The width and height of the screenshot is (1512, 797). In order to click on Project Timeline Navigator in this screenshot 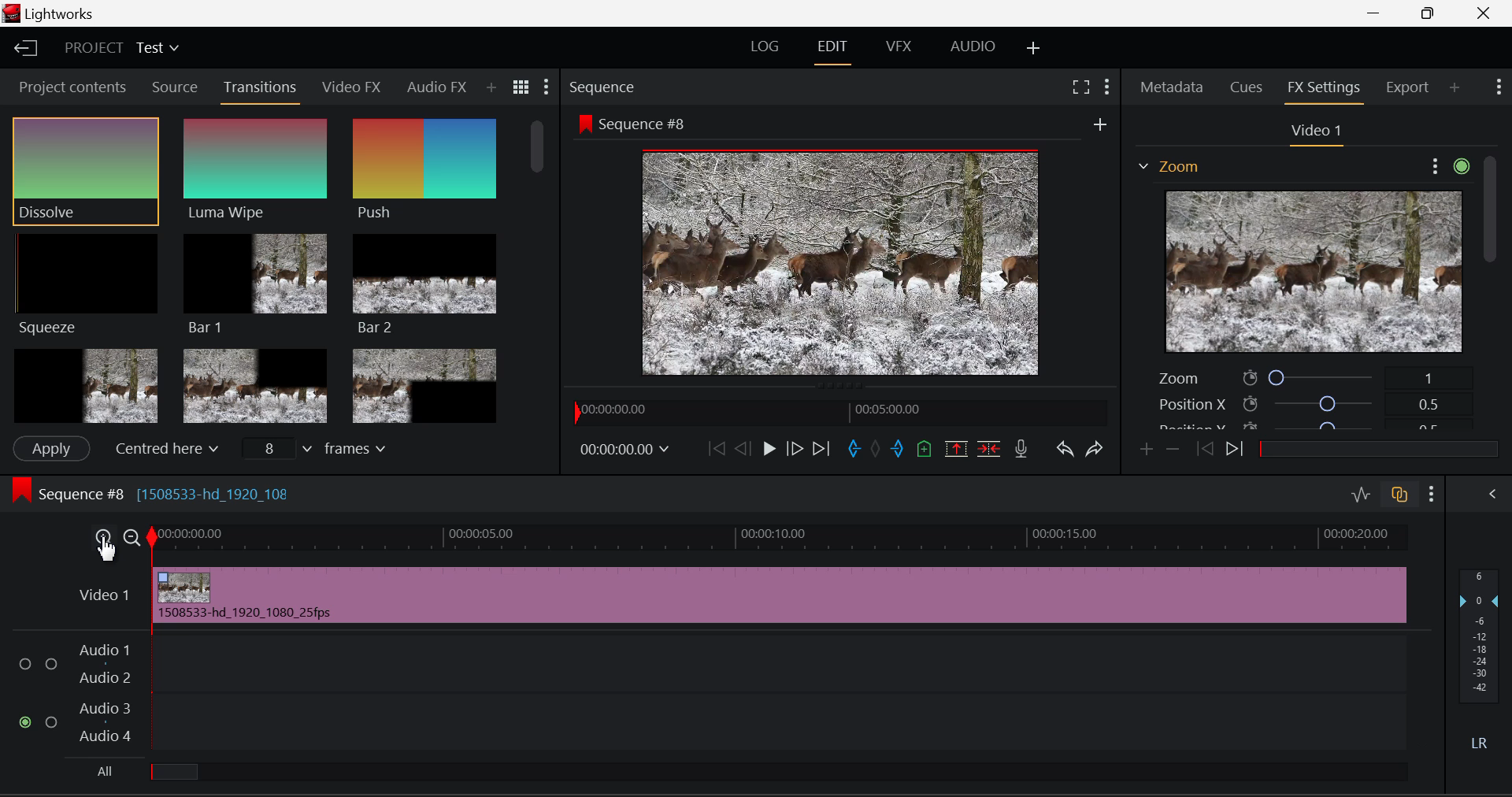, I will do `click(837, 408)`.